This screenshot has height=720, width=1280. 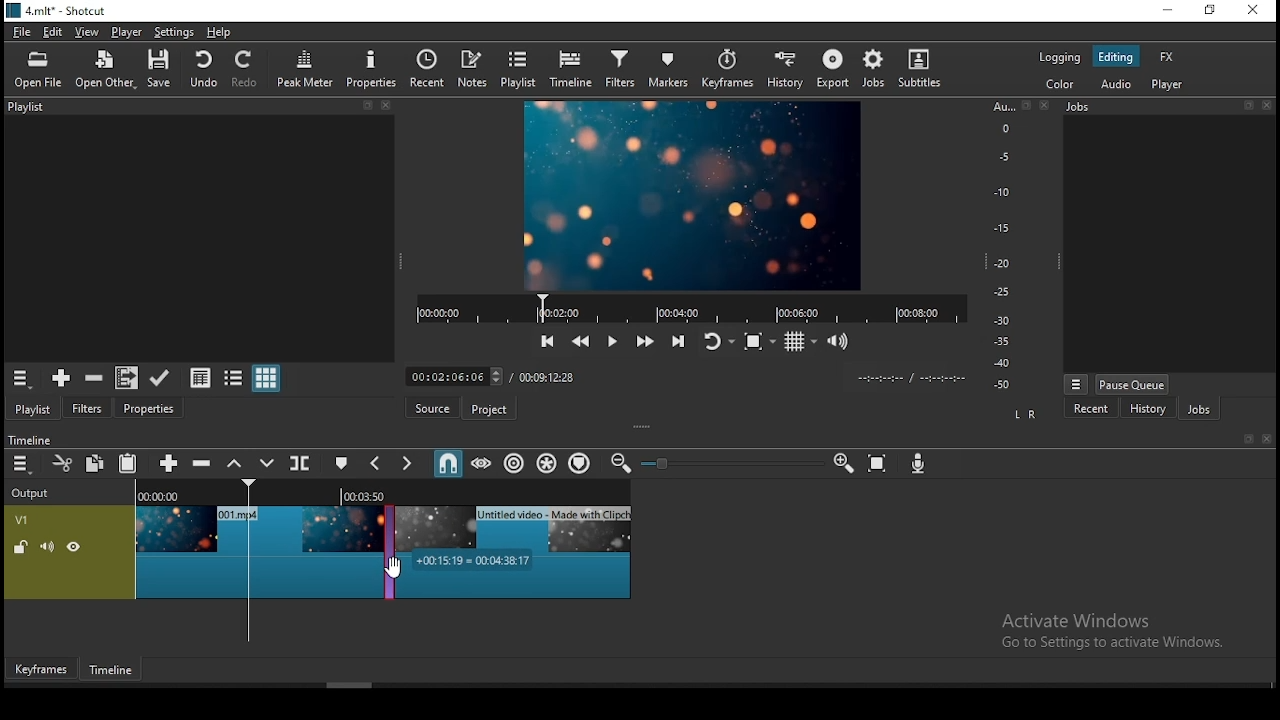 I want to click on ripple markers, so click(x=580, y=464).